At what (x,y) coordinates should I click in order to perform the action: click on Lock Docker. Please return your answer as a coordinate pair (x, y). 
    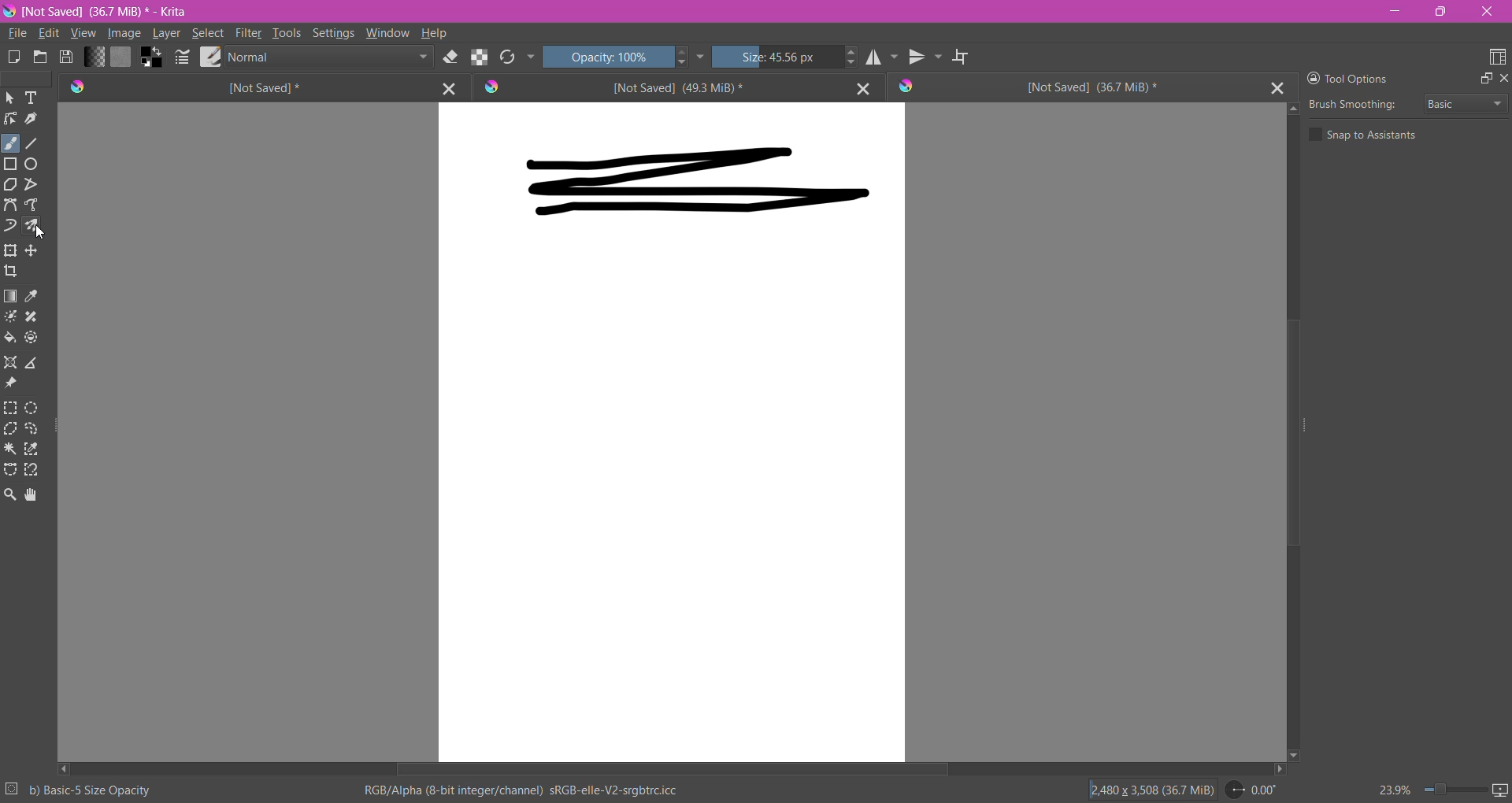
    Looking at the image, I should click on (1309, 78).